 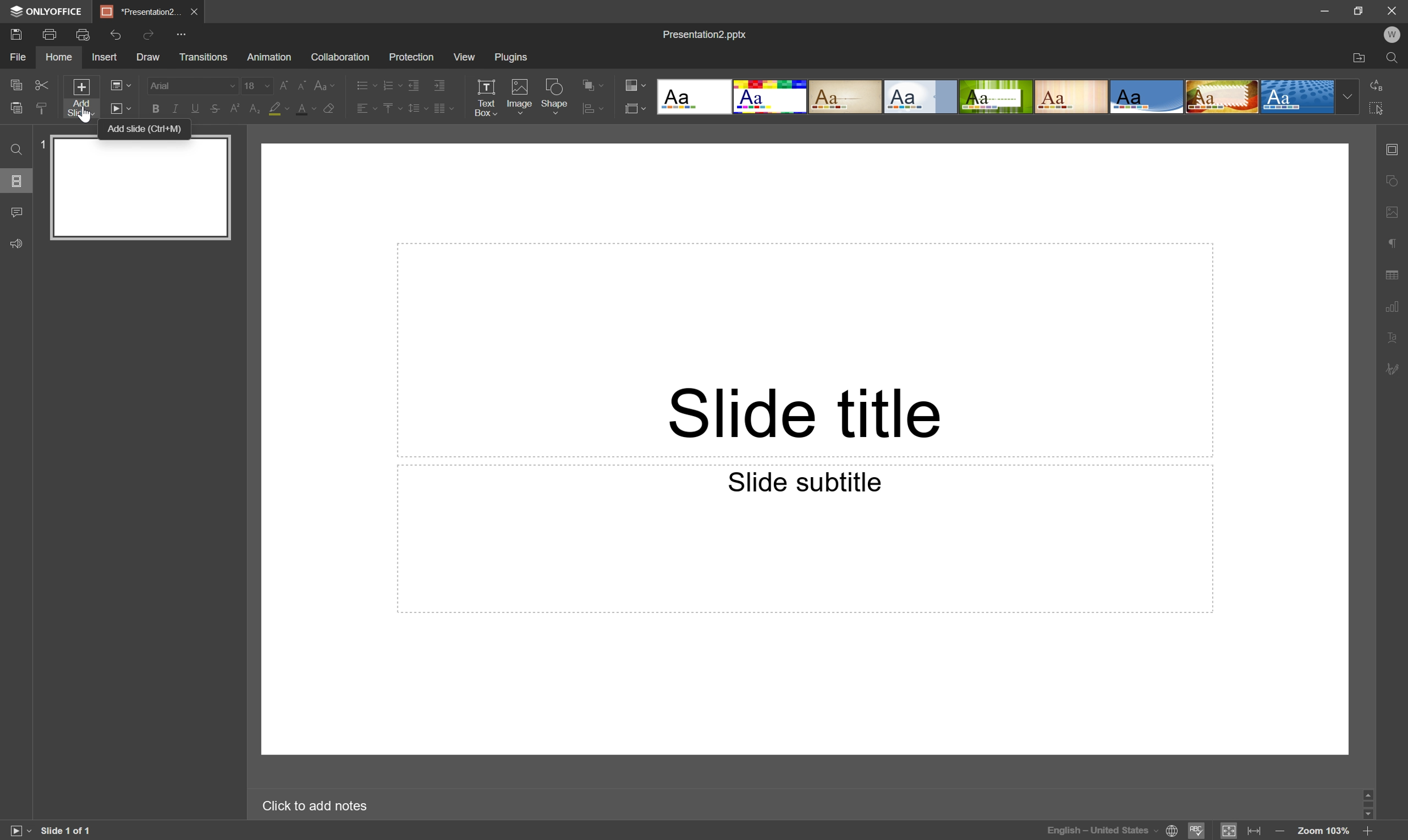 I want to click on Close, so click(x=1390, y=9).